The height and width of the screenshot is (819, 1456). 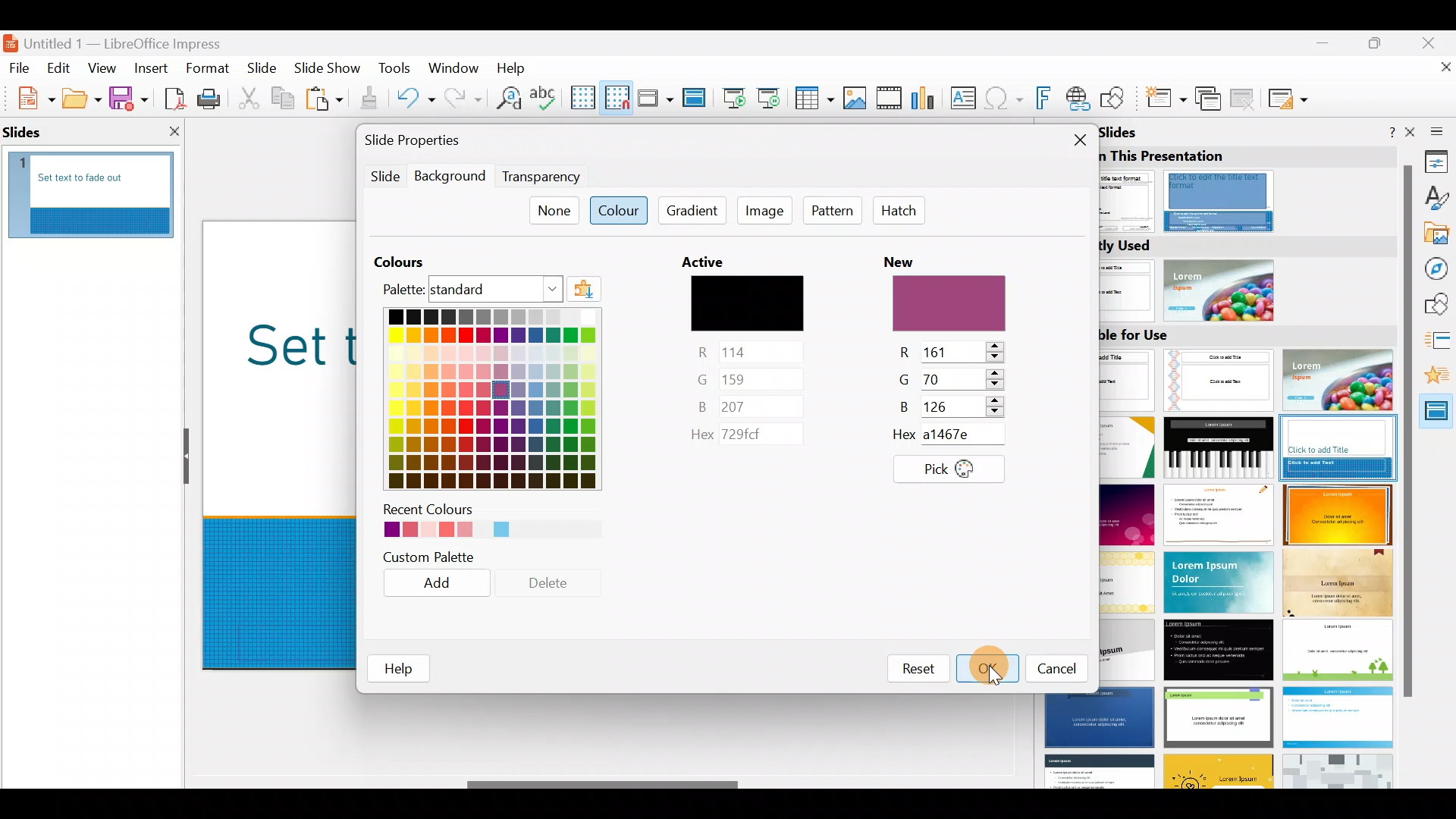 I want to click on Display views, so click(x=654, y=97).